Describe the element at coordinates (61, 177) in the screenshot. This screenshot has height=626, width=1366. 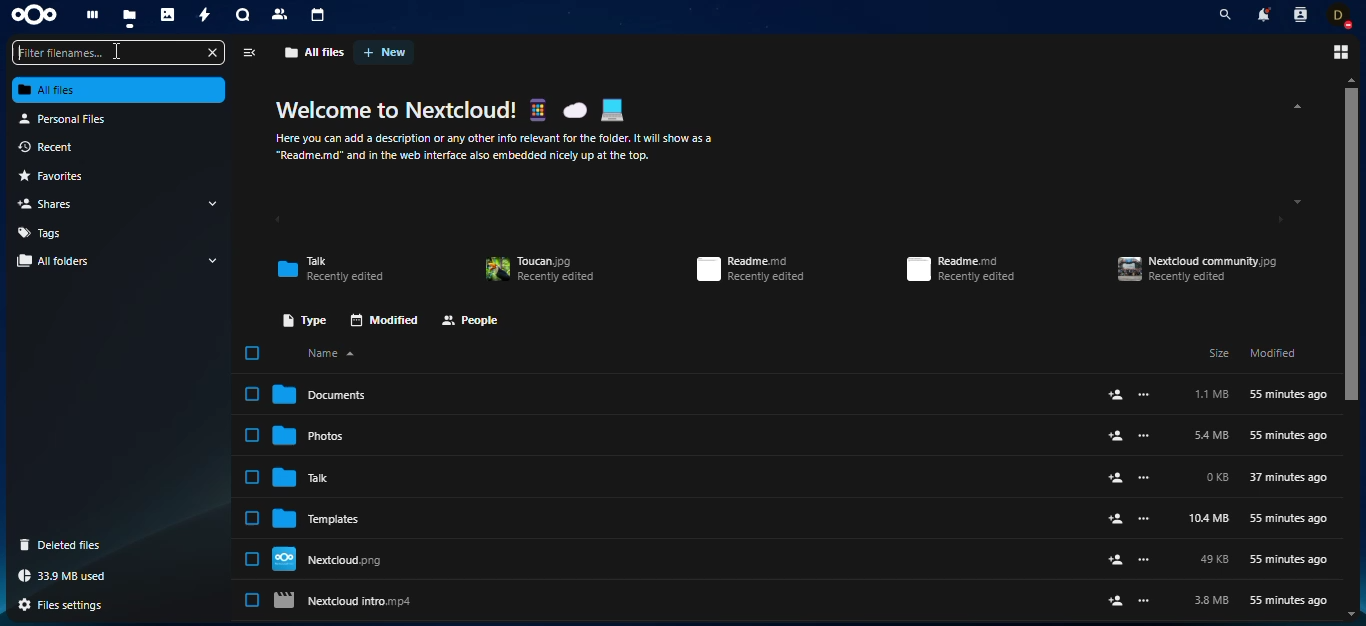
I see `favorites` at that location.